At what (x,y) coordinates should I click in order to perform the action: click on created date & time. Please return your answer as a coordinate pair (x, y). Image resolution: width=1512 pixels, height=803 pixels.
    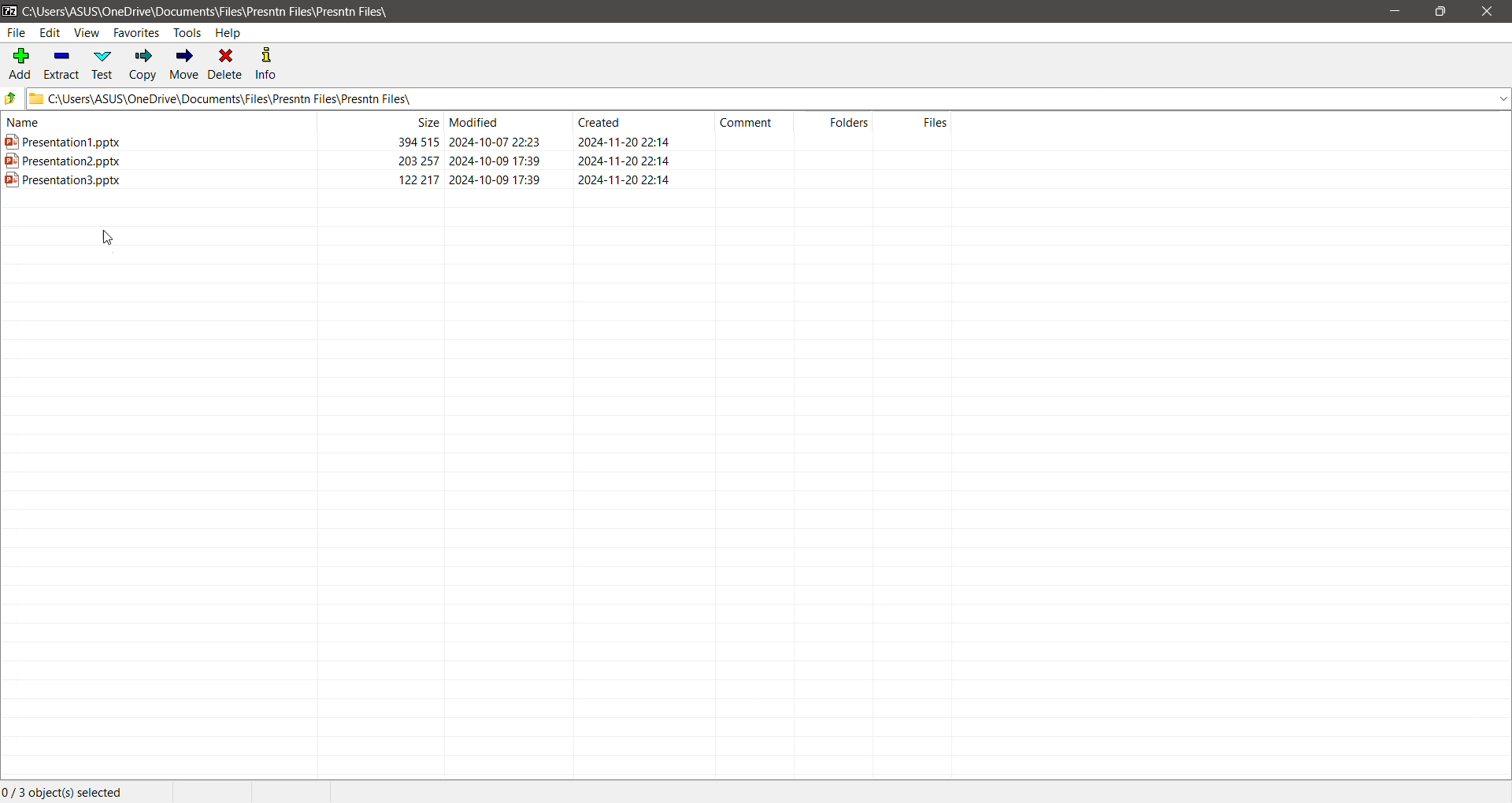
    Looking at the image, I should click on (625, 179).